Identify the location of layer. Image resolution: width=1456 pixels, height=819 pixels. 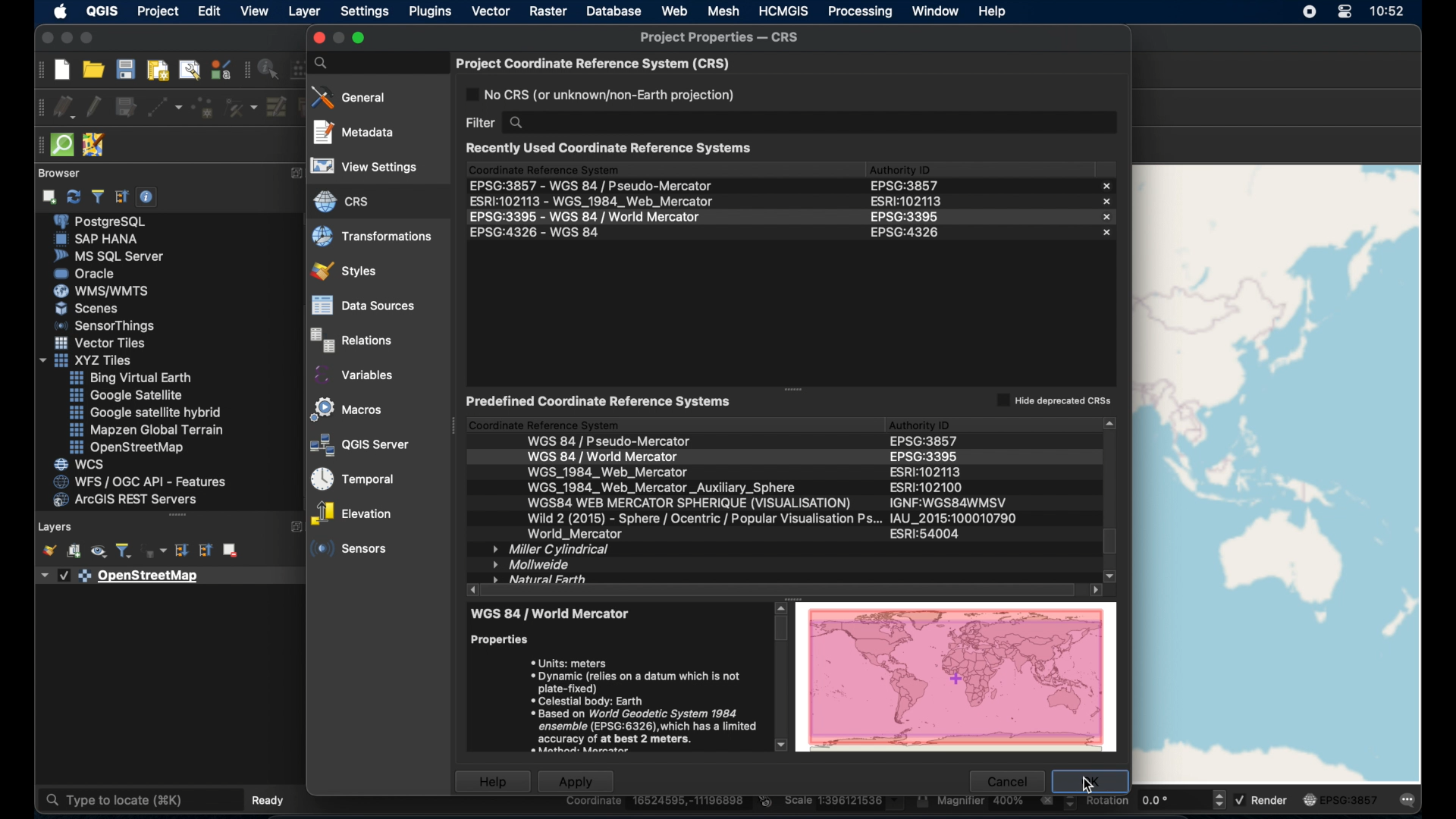
(306, 12).